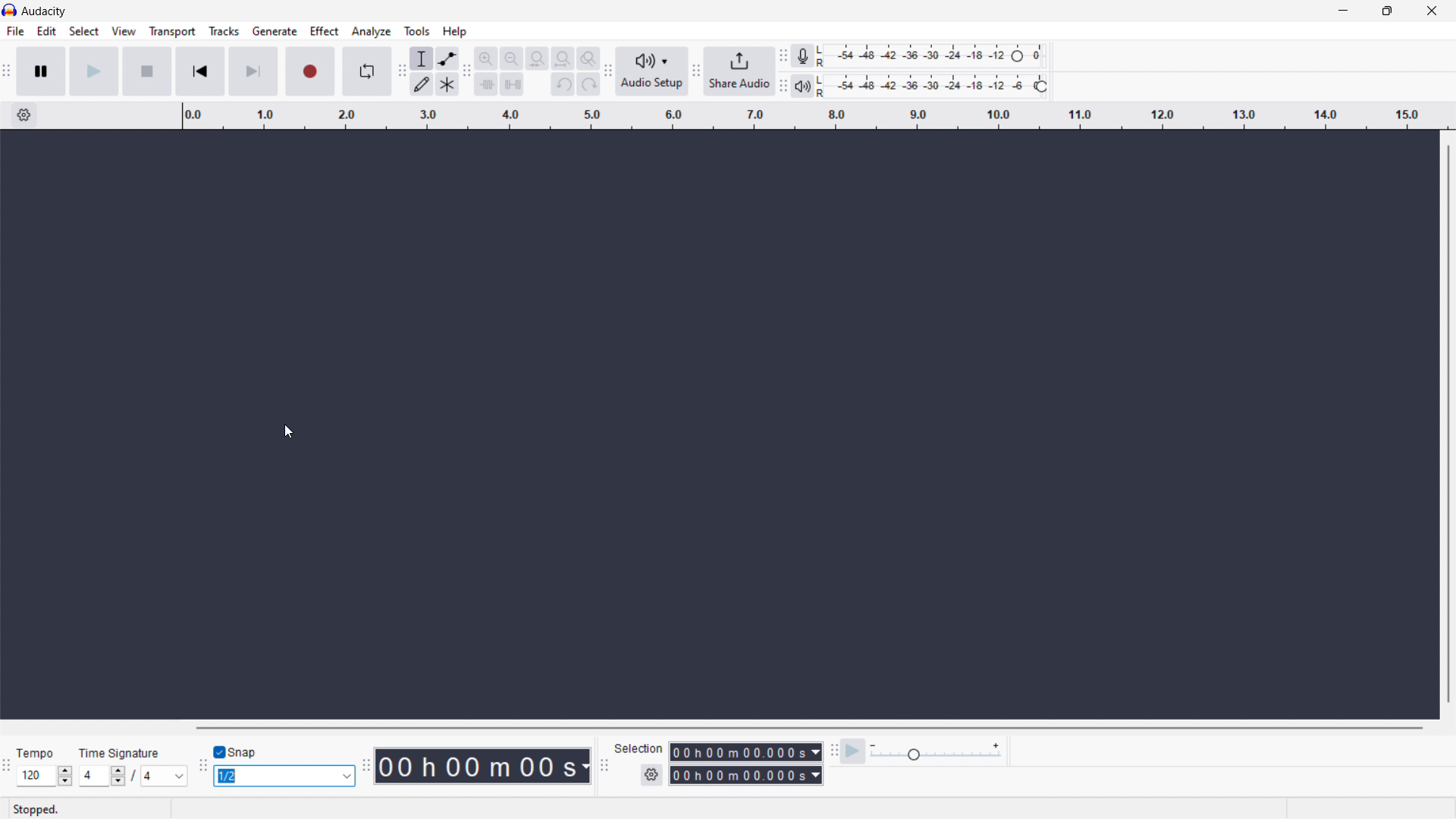 This screenshot has width=1456, height=819. I want to click on Time Signature, so click(116, 754).